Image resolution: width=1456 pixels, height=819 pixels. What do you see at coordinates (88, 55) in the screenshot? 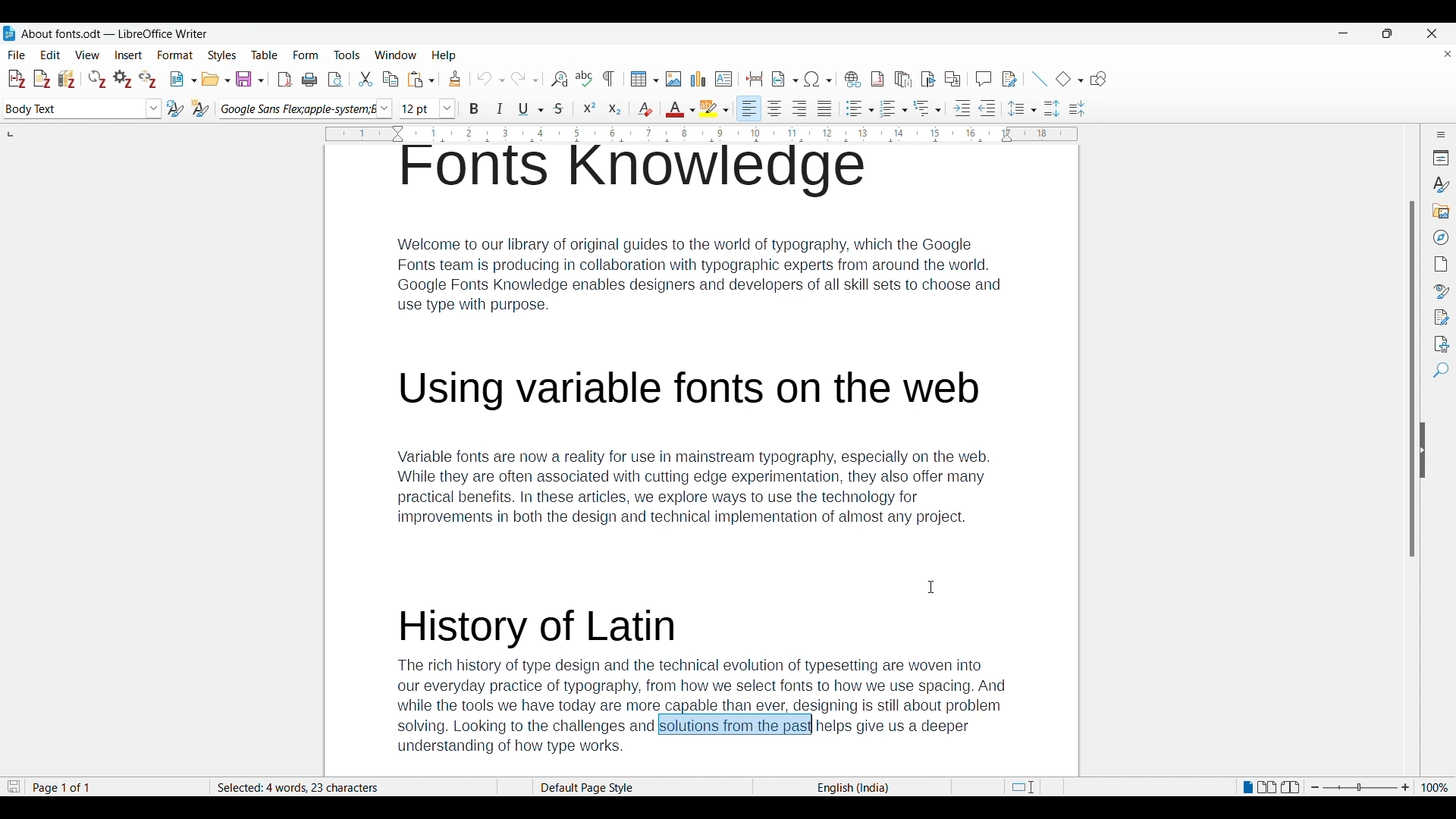
I see `View menu` at bounding box center [88, 55].